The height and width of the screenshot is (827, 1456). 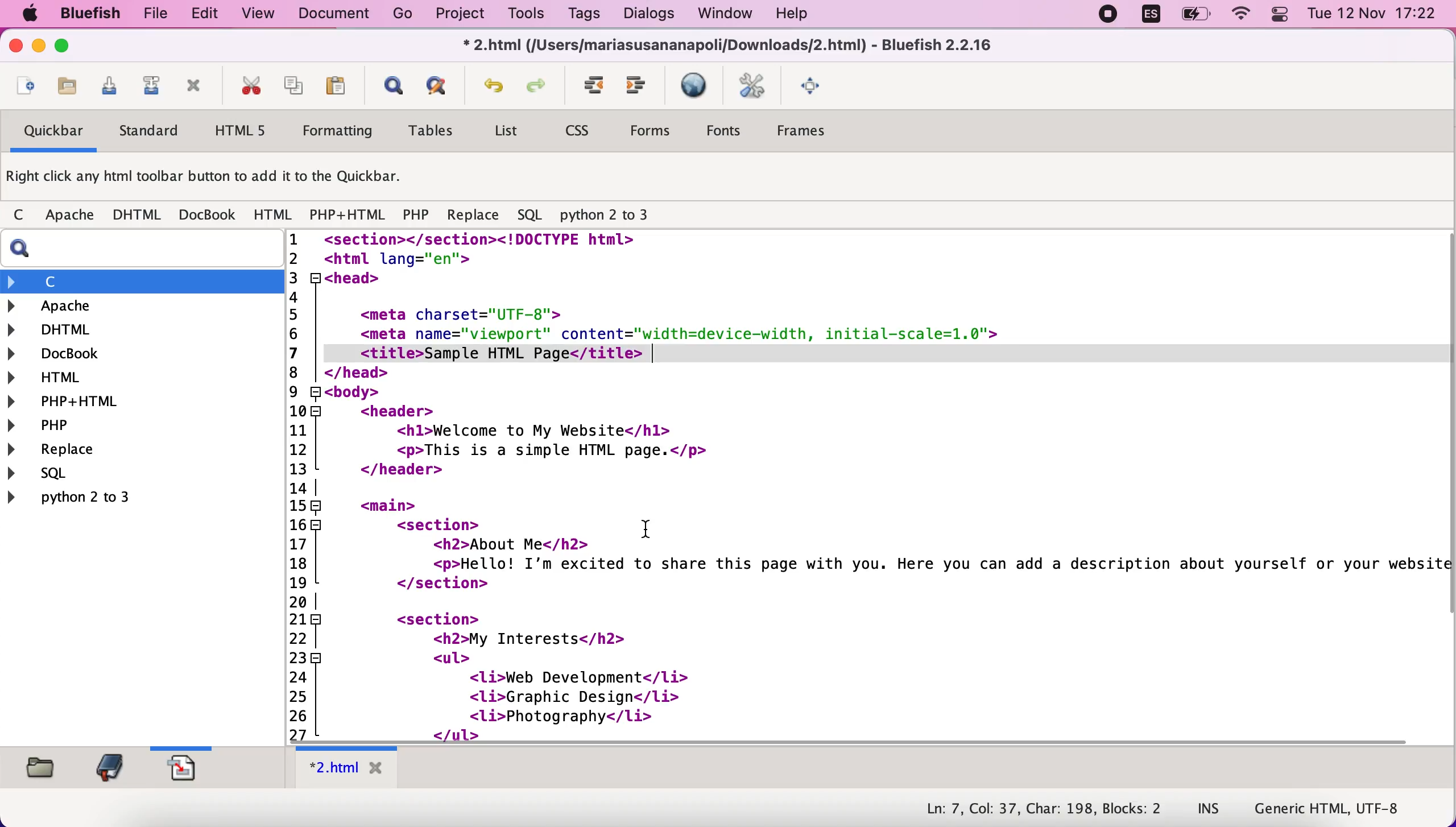 I want to click on right click any html toolbar button to add it to the quickbar., so click(x=210, y=177).